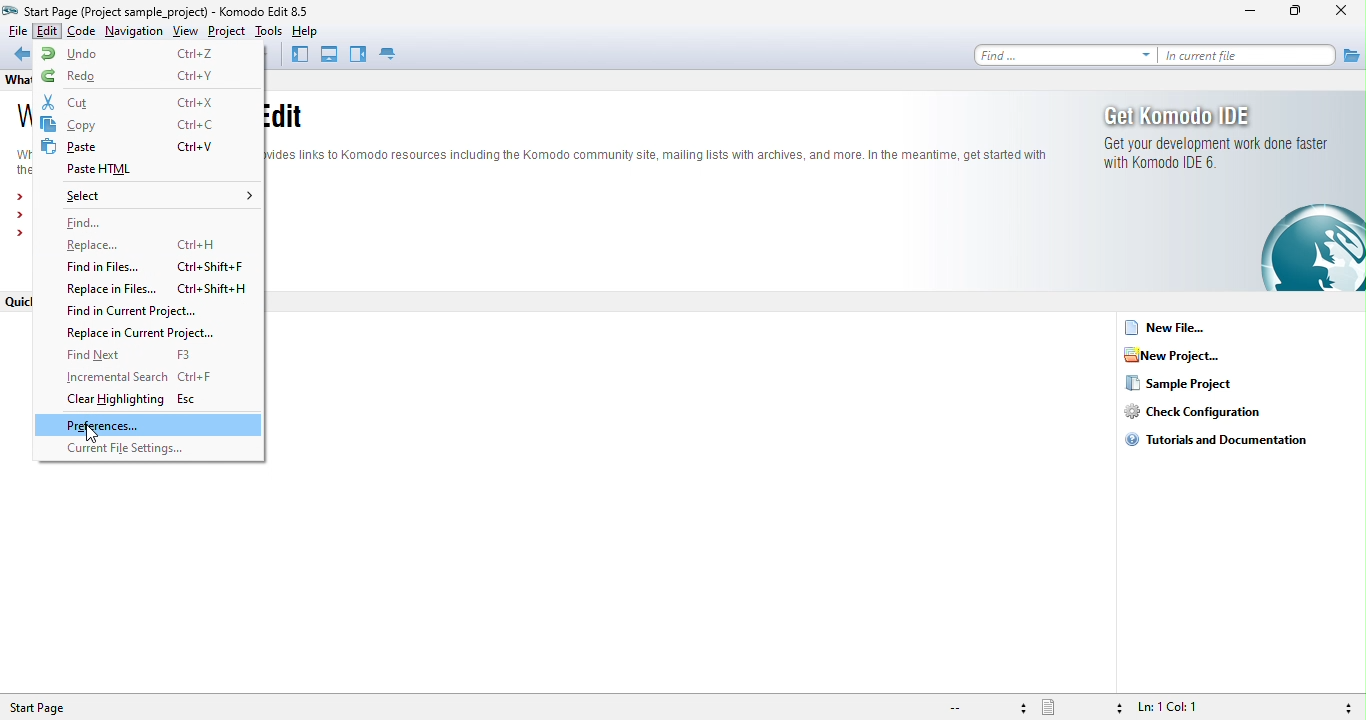 Image resolution: width=1366 pixels, height=720 pixels. Describe the element at coordinates (134, 32) in the screenshot. I see `navigation` at that location.